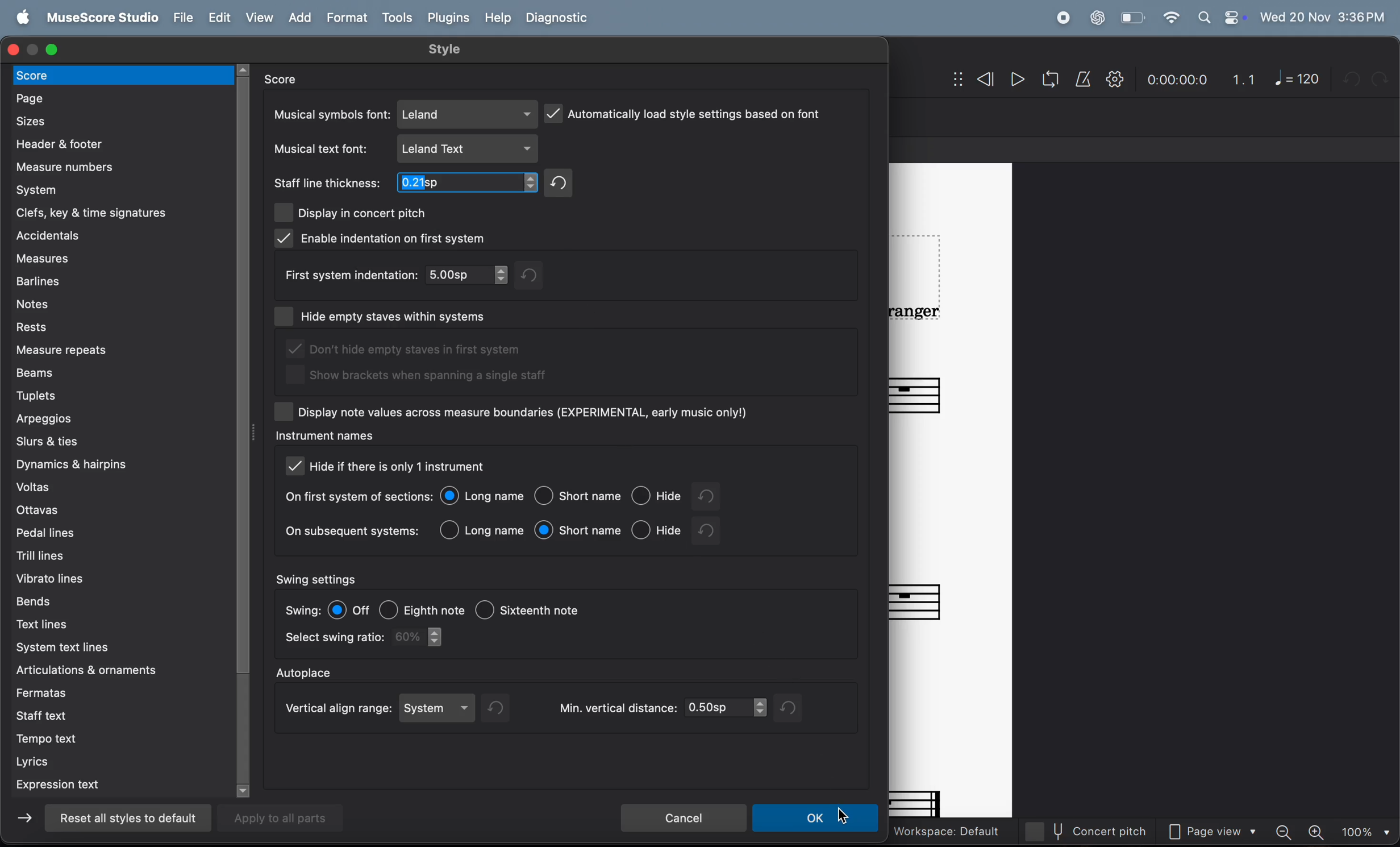  Describe the element at coordinates (118, 120) in the screenshot. I see `sizes` at that location.